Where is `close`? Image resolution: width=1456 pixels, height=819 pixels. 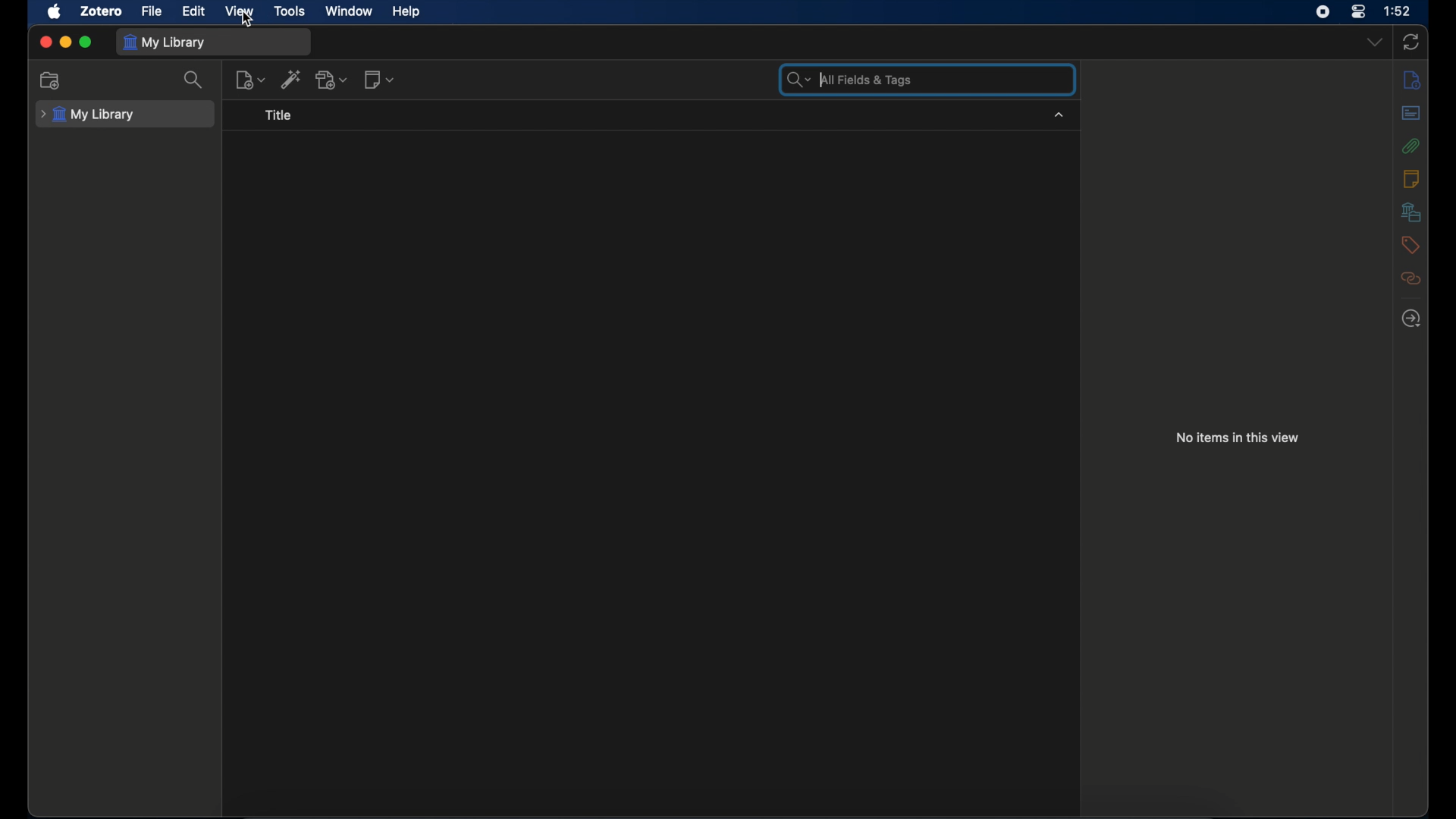 close is located at coordinates (45, 43).